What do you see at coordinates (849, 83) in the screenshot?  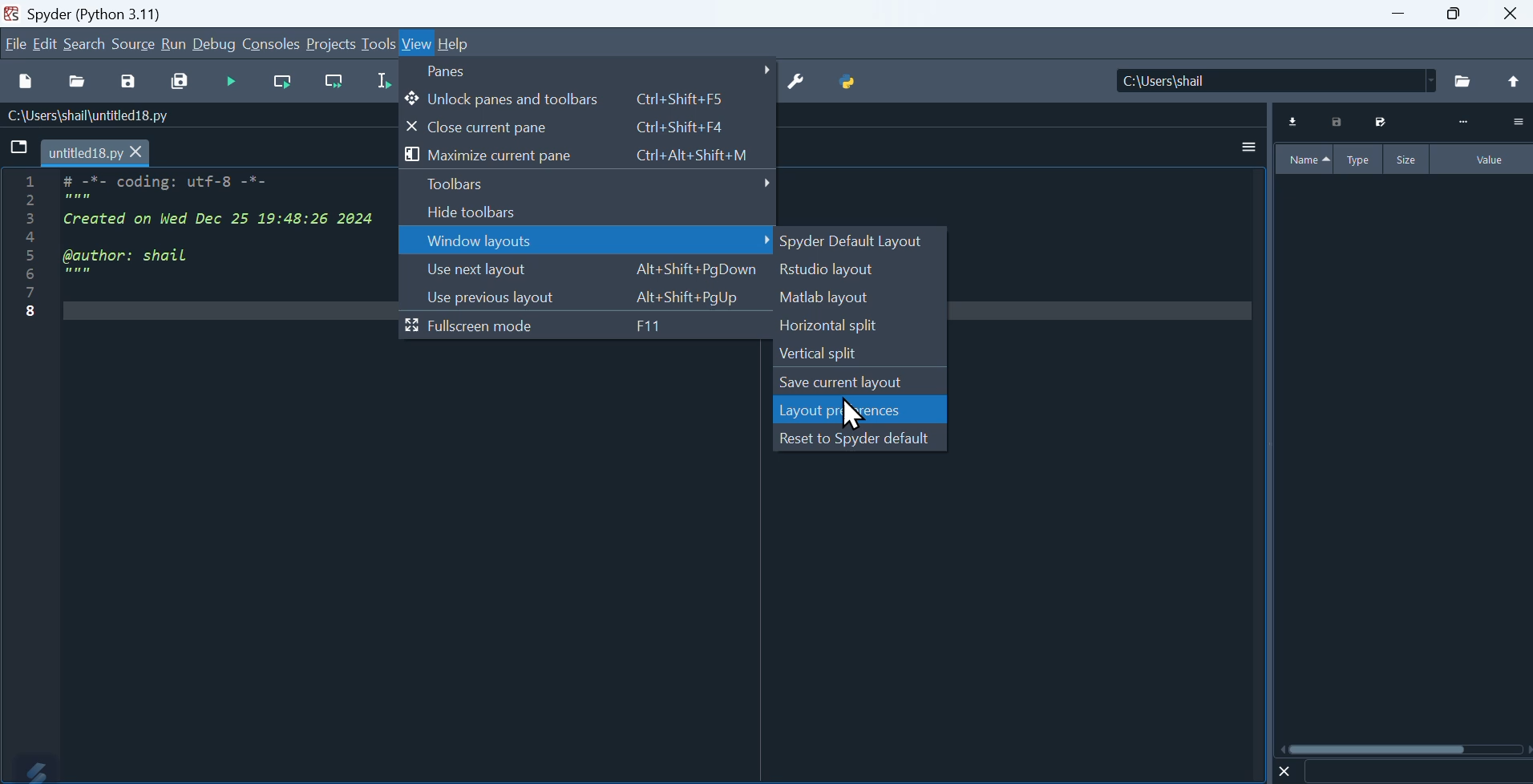 I see `Python path manager` at bounding box center [849, 83].